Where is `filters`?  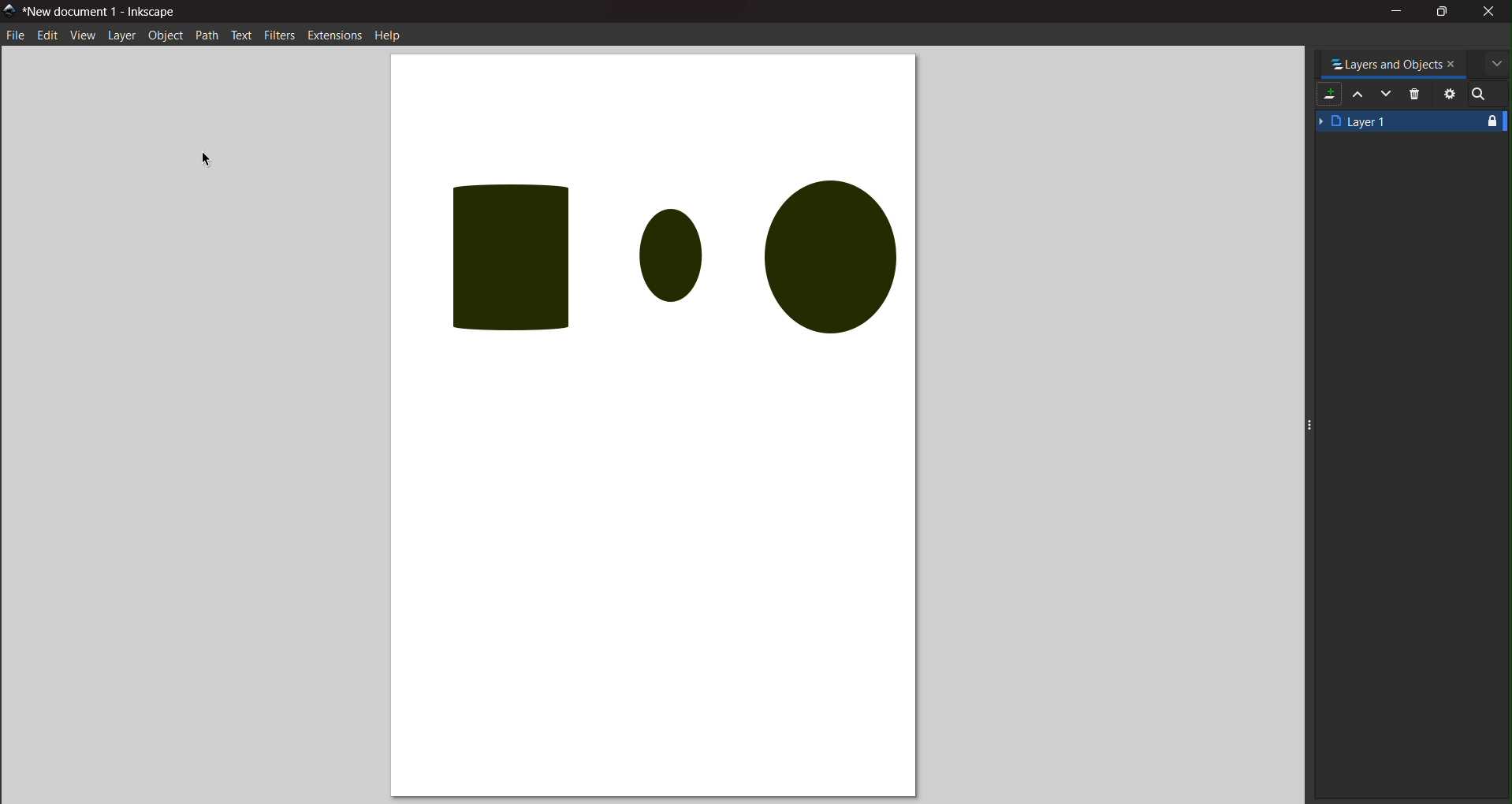
filters is located at coordinates (281, 34).